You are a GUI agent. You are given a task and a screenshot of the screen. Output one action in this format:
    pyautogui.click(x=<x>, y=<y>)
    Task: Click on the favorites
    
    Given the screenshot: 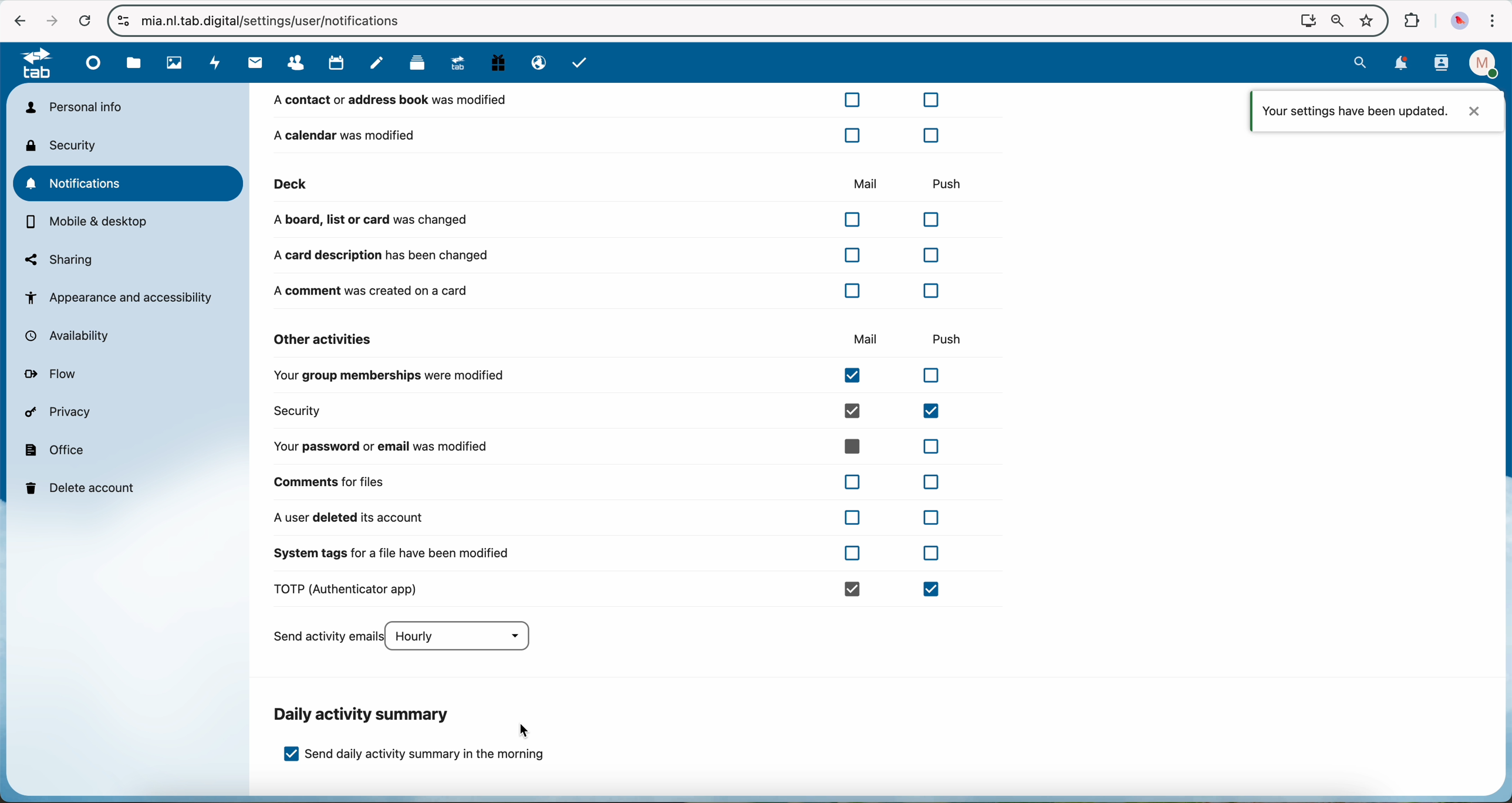 What is the action you would take?
    pyautogui.click(x=1365, y=18)
    